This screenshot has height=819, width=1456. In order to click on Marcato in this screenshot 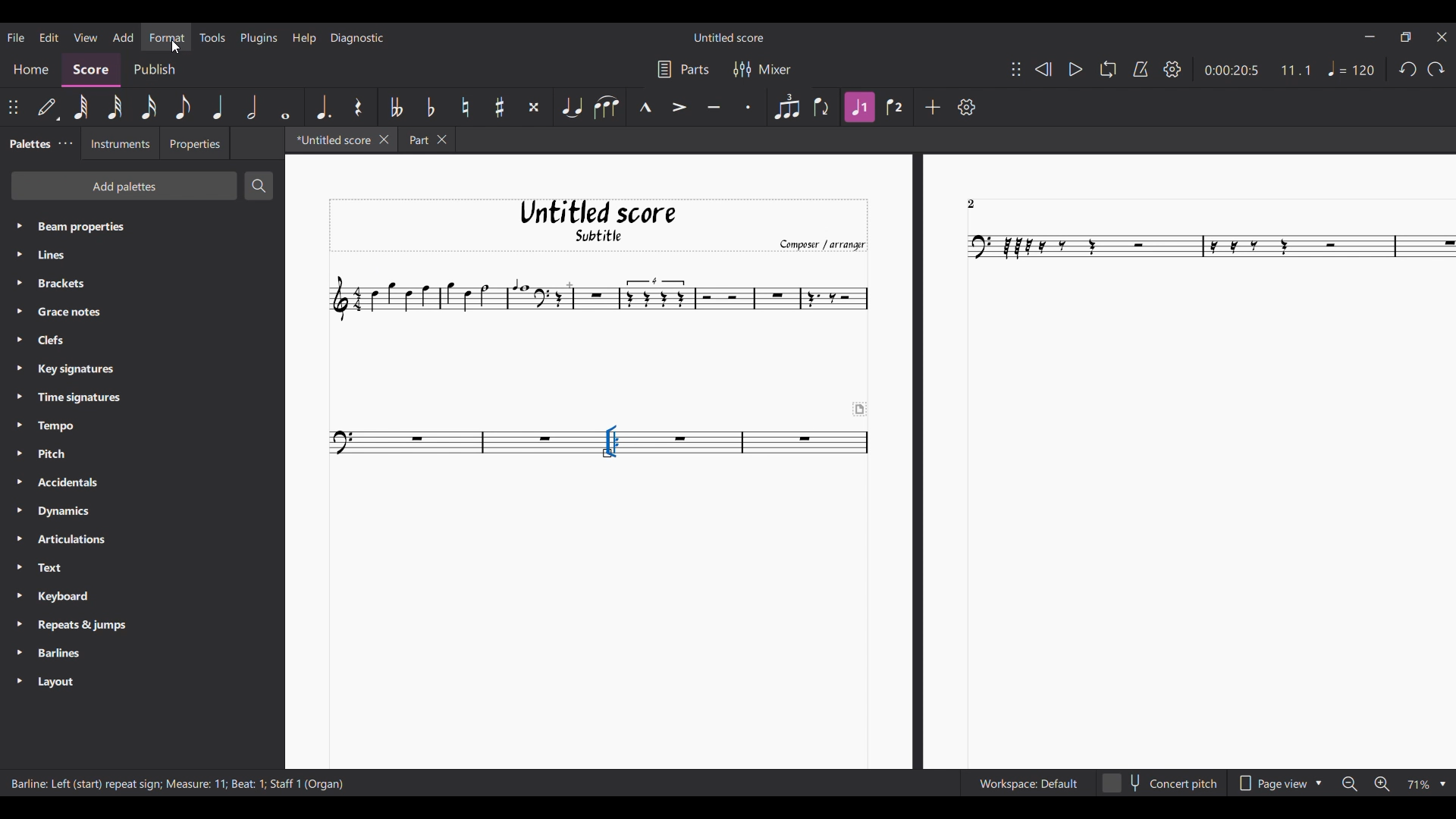, I will do `click(643, 106)`.